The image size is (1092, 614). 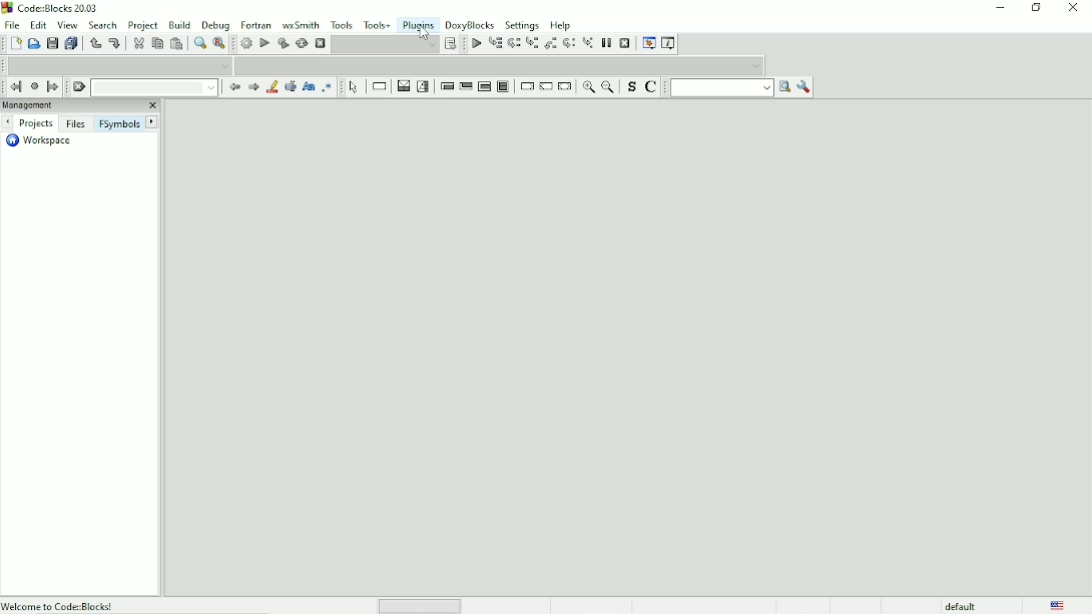 I want to click on Return instruction, so click(x=565, y=86).